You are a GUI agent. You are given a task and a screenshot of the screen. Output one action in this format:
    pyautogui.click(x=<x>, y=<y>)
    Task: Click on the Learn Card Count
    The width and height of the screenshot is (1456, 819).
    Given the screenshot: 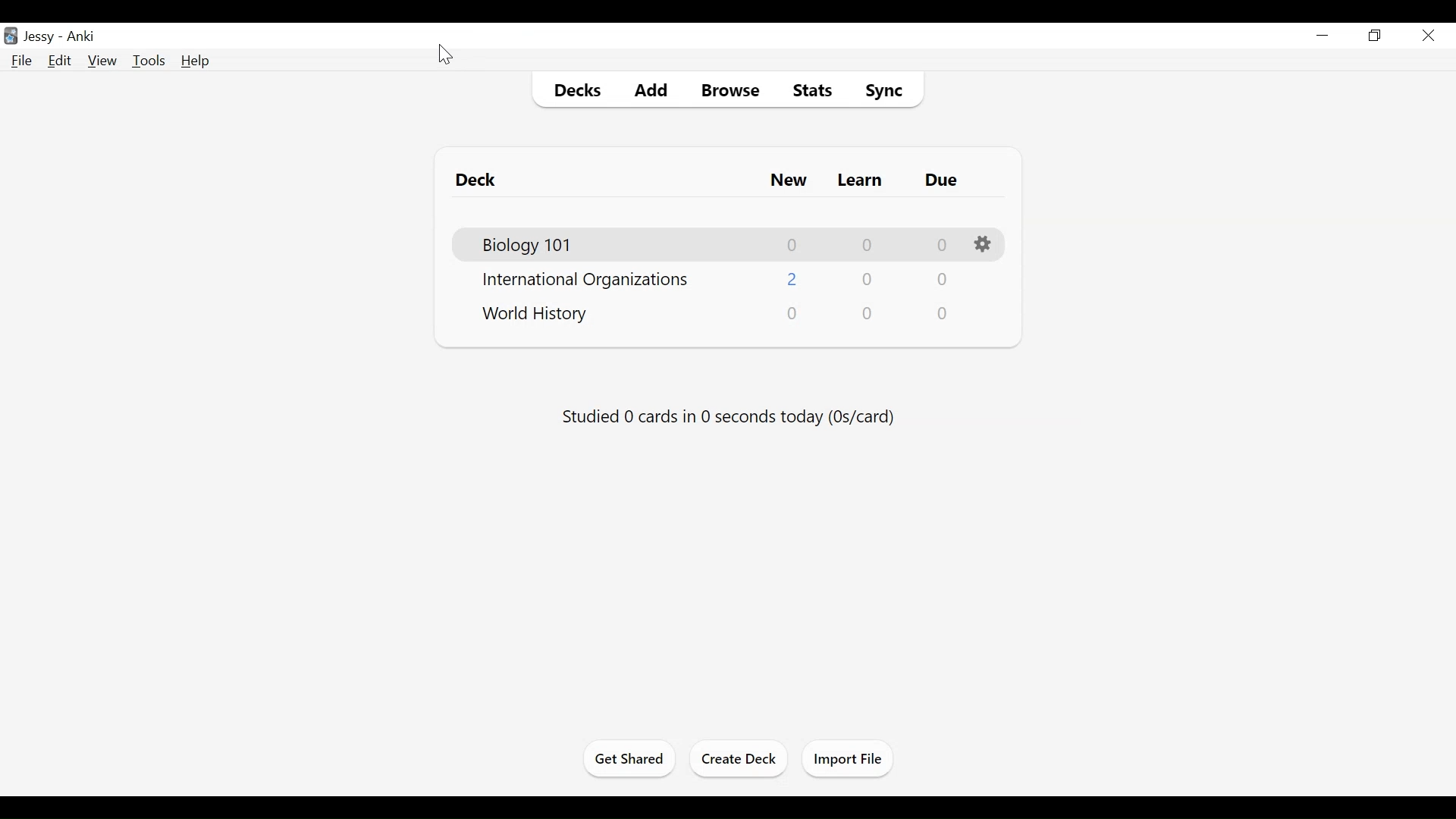 What is the action you would take?
    pyautogui.click(x=871, y=281)
    